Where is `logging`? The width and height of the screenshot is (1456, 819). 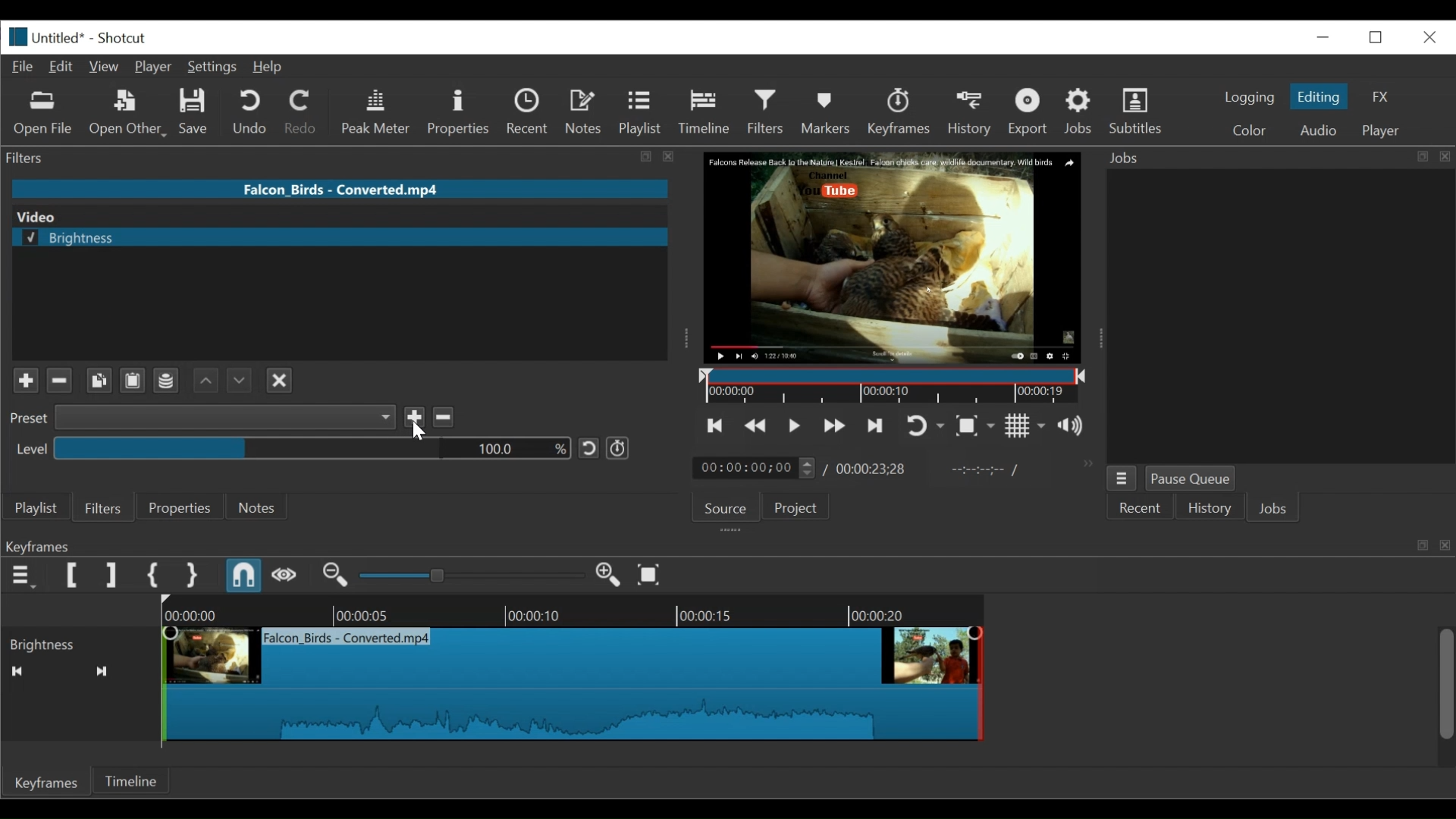 logging is located at coordinates (1248, 99).